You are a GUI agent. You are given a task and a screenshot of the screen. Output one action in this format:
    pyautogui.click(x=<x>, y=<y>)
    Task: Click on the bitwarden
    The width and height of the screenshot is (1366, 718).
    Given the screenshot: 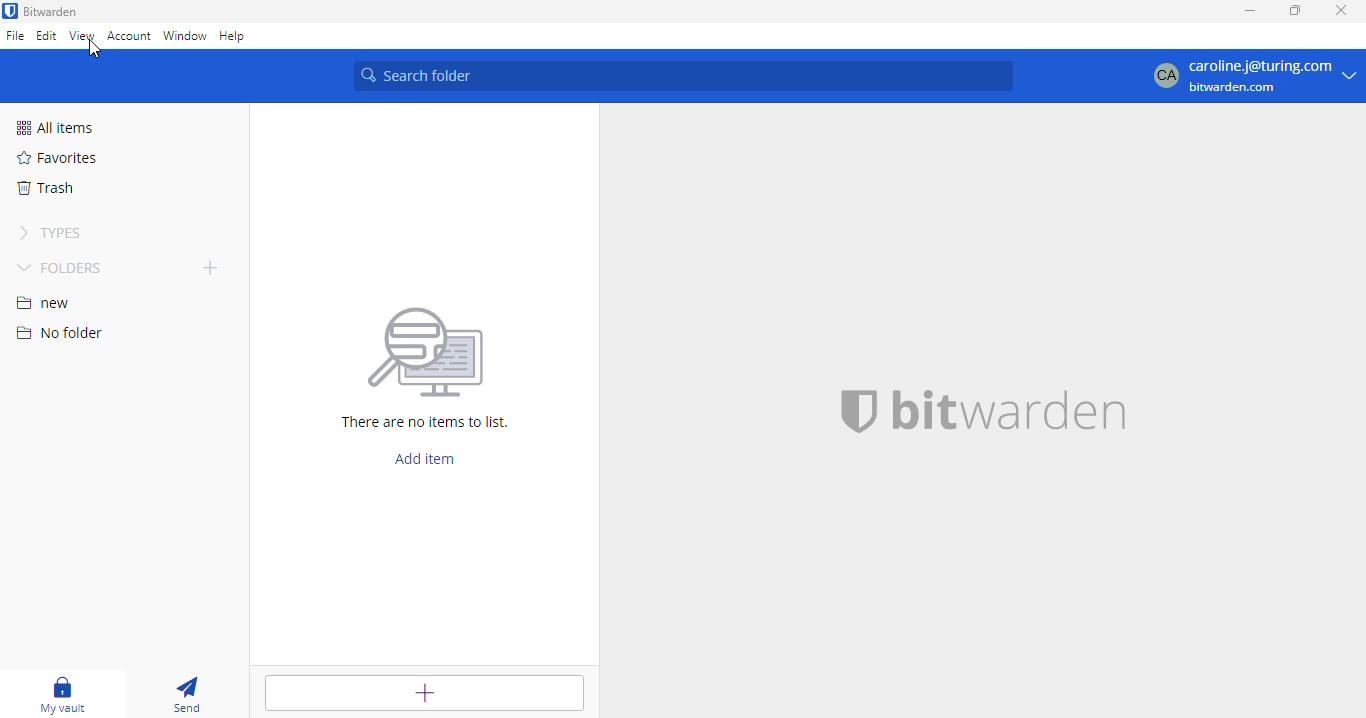 What is the action you would take?
    pyautogui.click(x=1012, y=411)
    